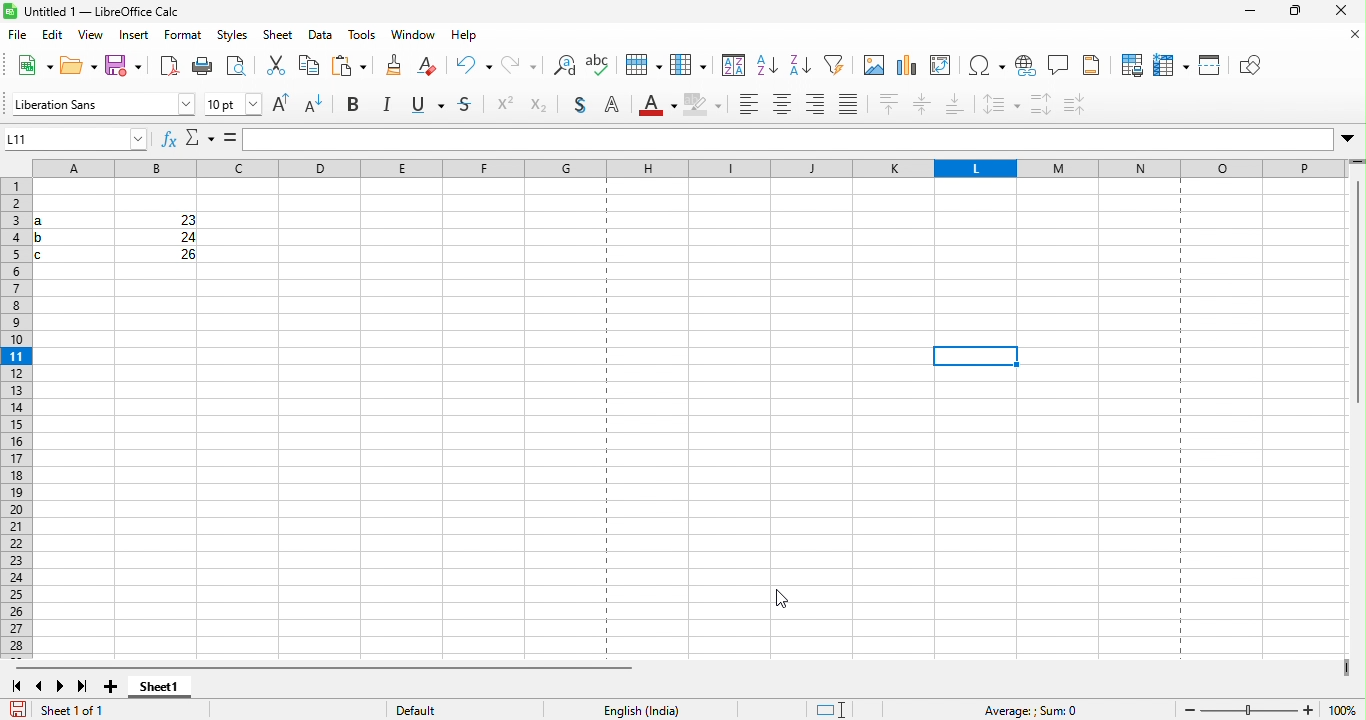  Describe the element at coordinates (1252, 67) in the screenshot. I see `show draw function` at that location.